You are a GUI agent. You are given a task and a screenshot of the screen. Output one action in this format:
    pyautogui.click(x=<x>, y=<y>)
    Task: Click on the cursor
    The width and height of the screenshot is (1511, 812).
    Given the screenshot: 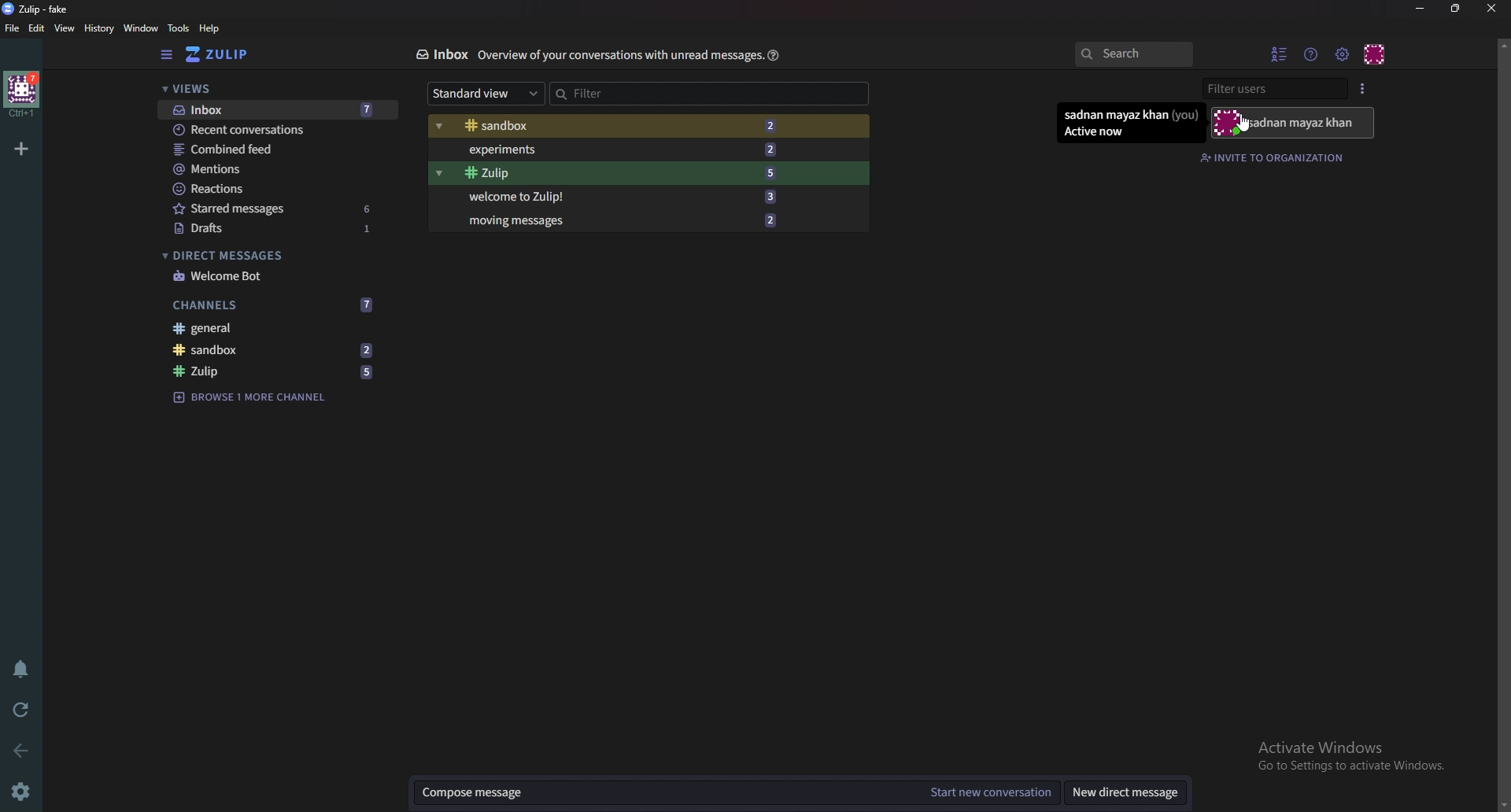 What is the action you would take?
    pyautogui.click(x=1243, y=127)
    